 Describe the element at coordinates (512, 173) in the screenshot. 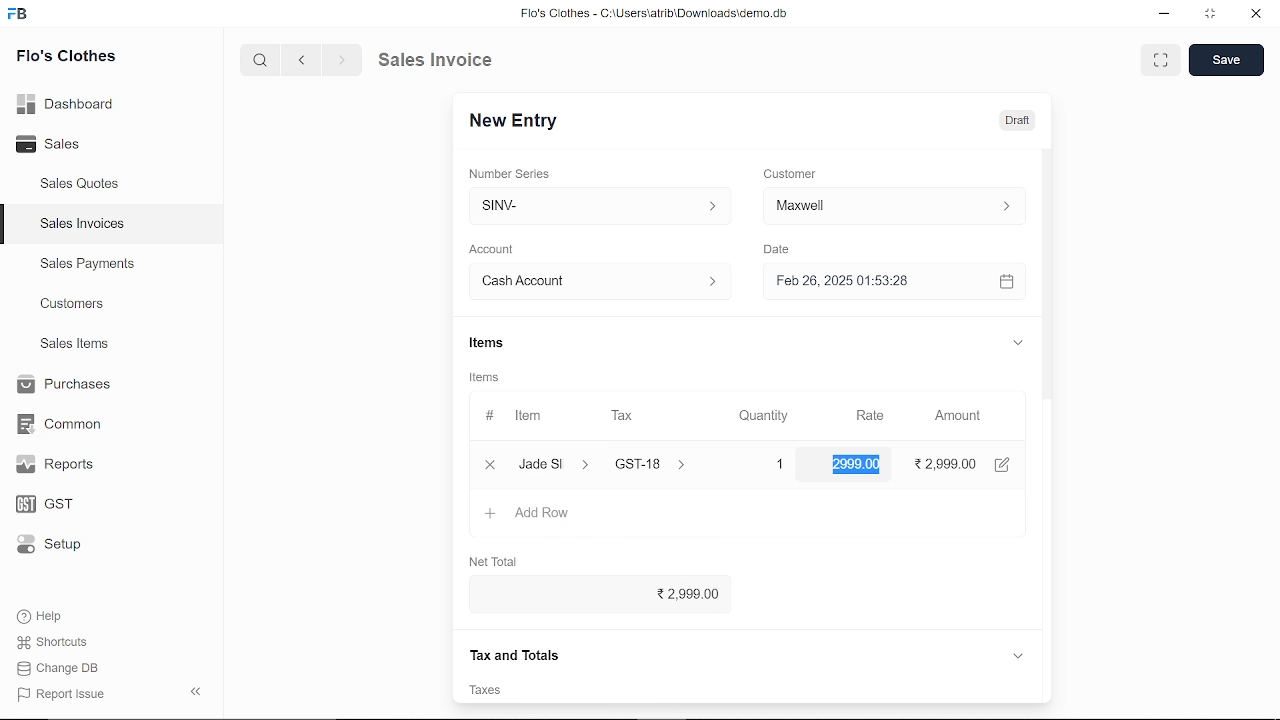

I see `Number Series` at that location.